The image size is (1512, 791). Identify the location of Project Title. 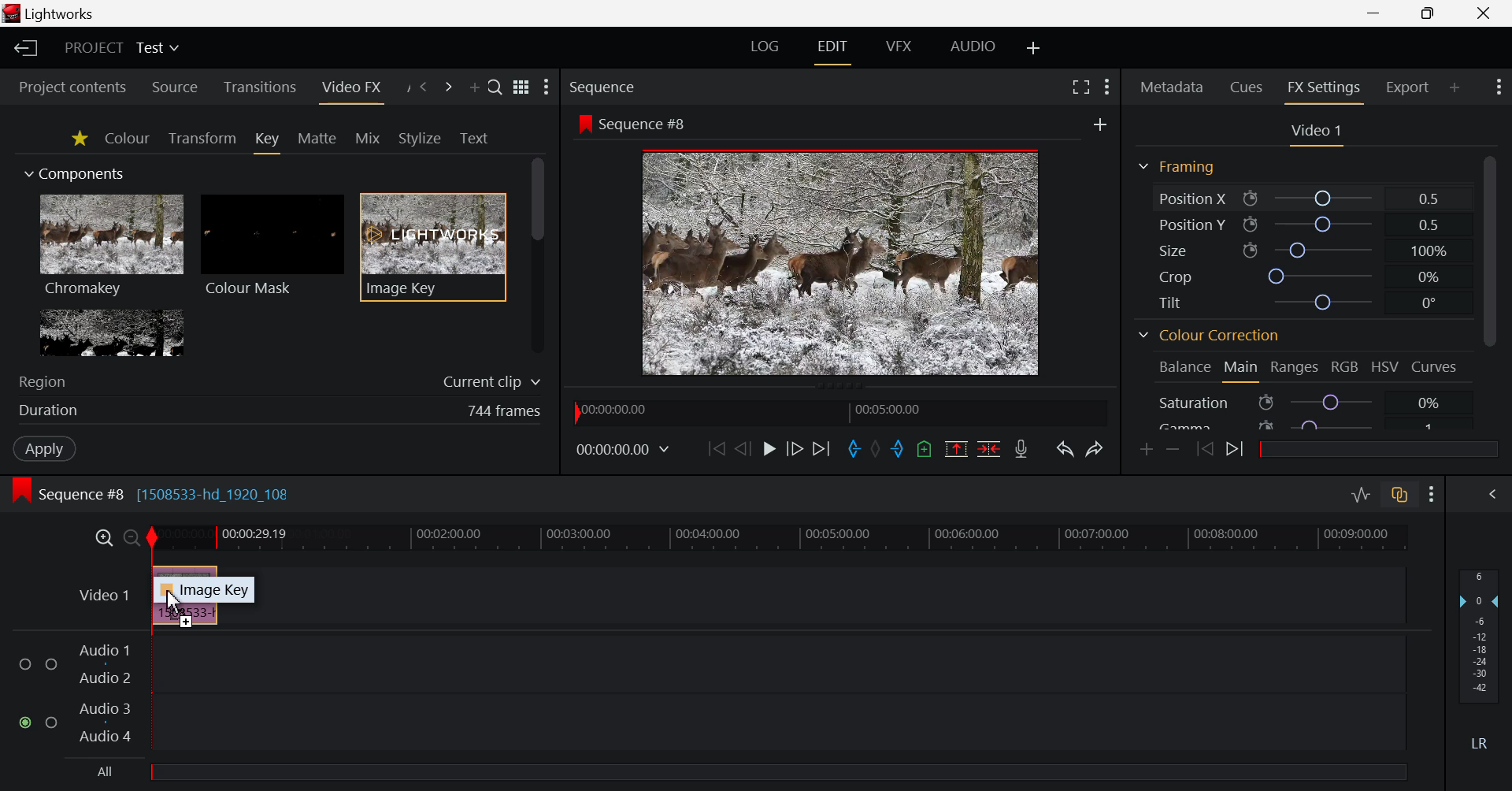
(121, 47).